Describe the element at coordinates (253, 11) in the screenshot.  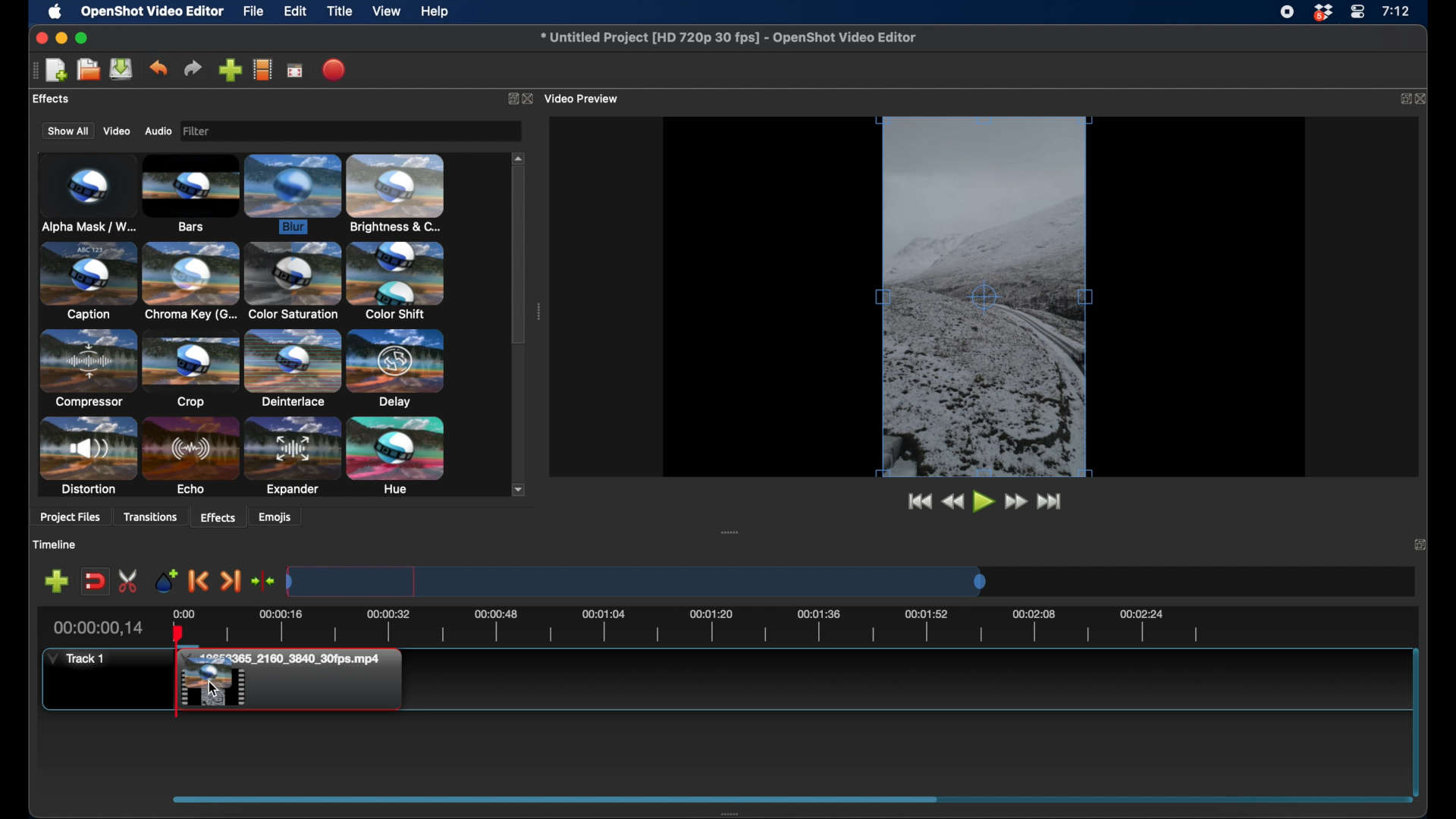
I see `file` at that location.